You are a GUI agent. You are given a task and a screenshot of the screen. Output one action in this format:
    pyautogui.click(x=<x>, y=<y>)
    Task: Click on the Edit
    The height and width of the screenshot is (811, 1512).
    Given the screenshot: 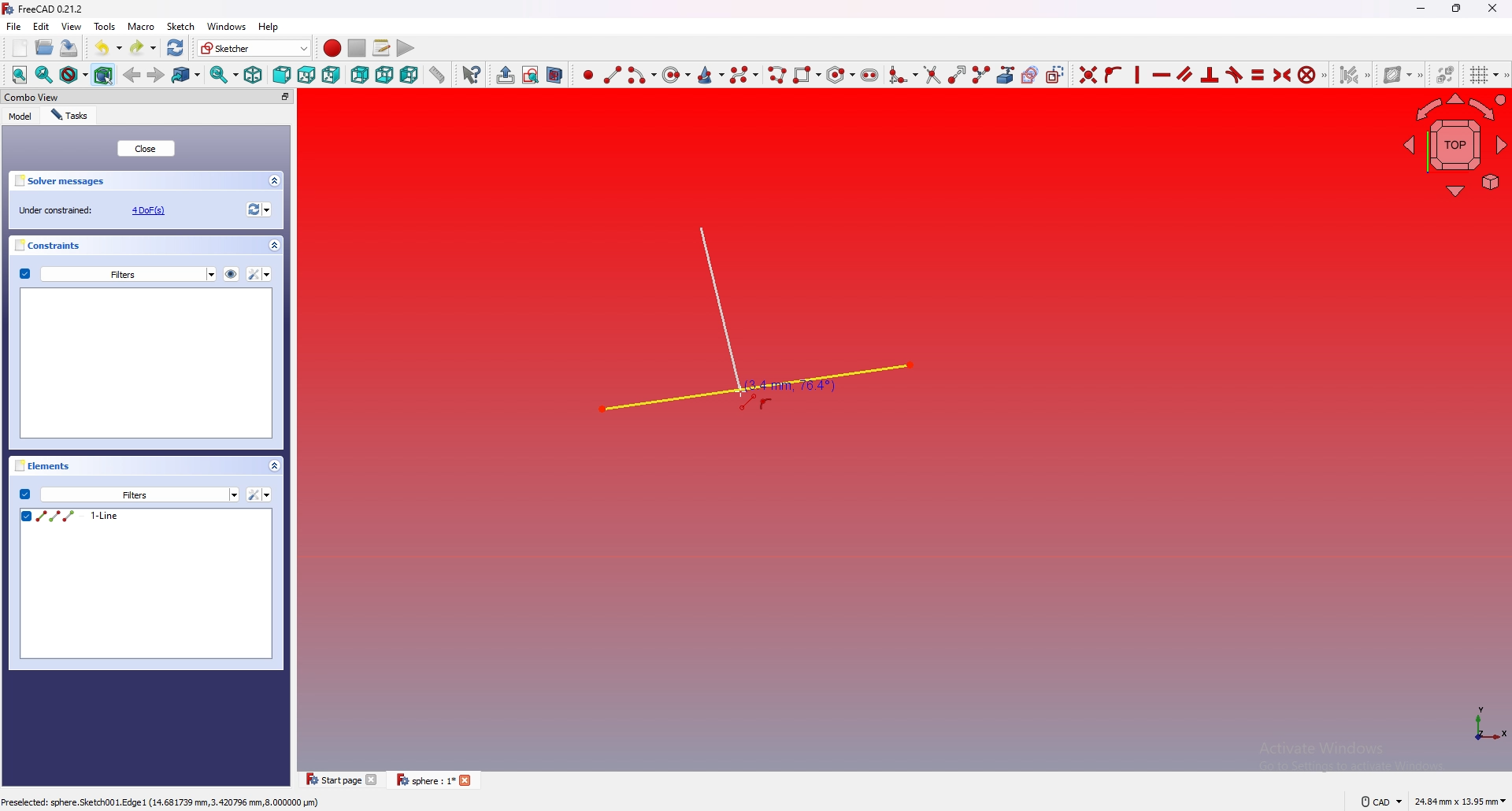 What is the action you would take?
    pyautogui.click(x=42, y=28)
    